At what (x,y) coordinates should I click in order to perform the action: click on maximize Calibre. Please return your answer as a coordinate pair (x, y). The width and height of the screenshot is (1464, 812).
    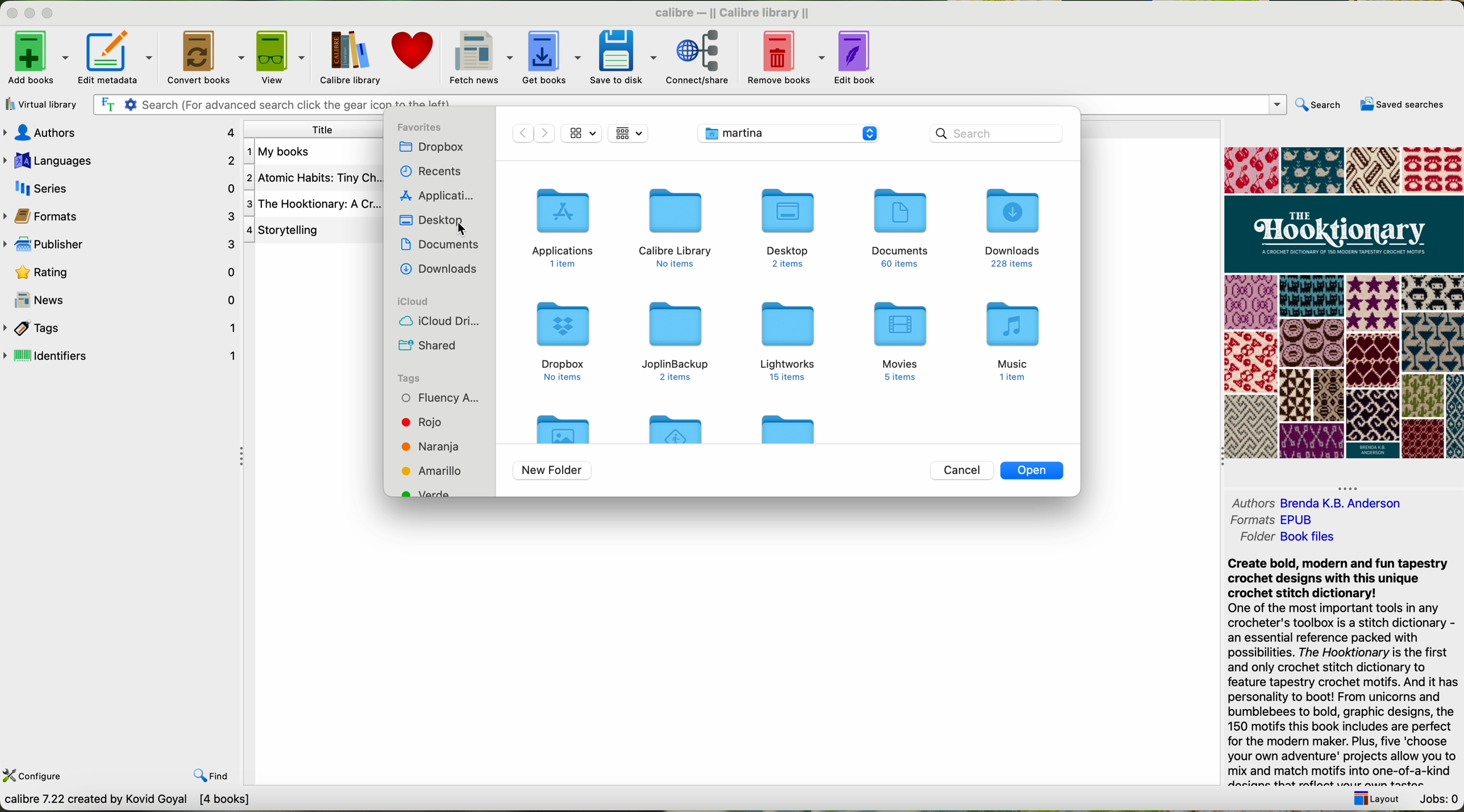
    Looking at the image, I should click on (50, 11).